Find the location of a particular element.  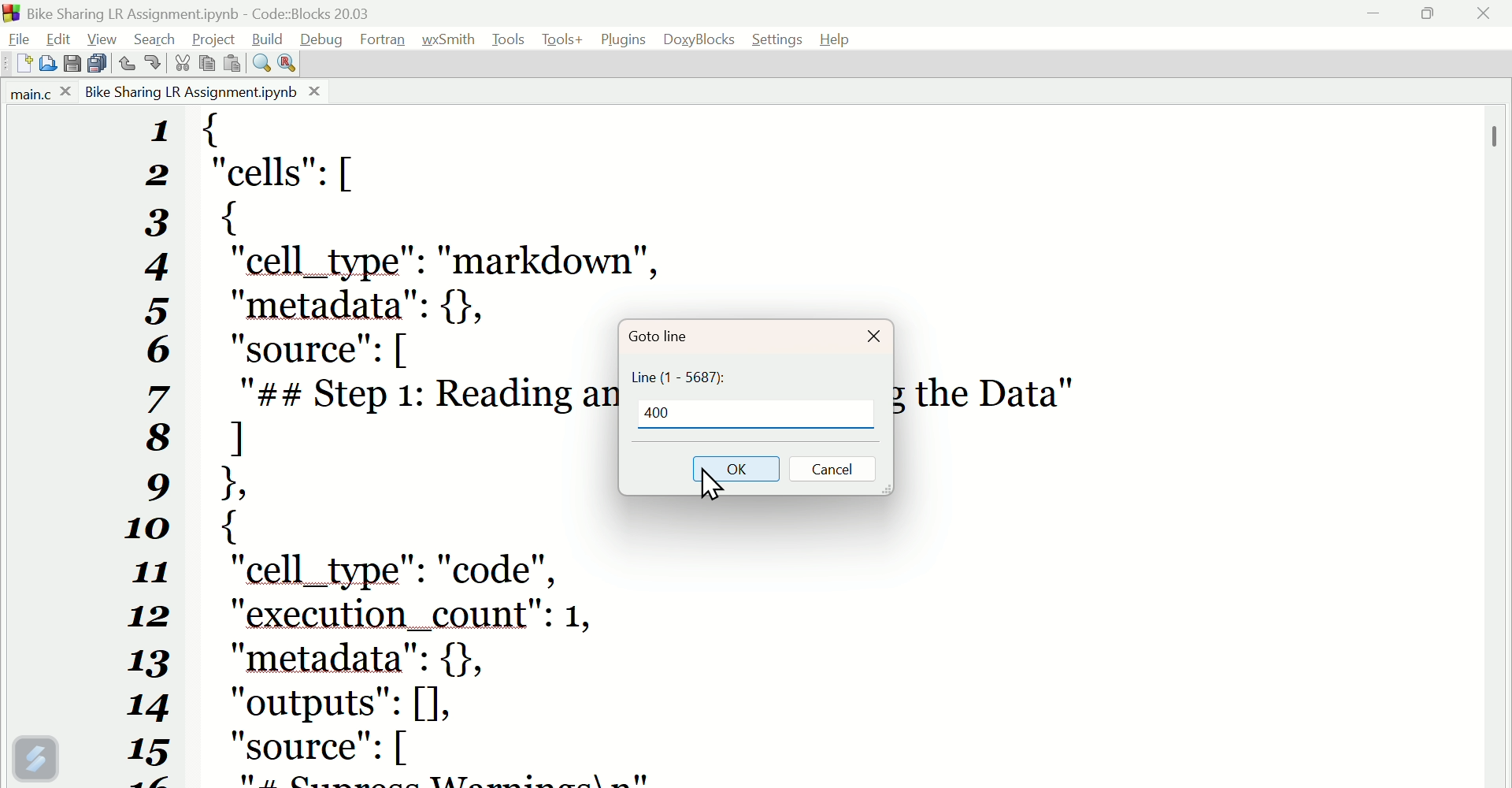

Open is located at coordinates (51, 64).